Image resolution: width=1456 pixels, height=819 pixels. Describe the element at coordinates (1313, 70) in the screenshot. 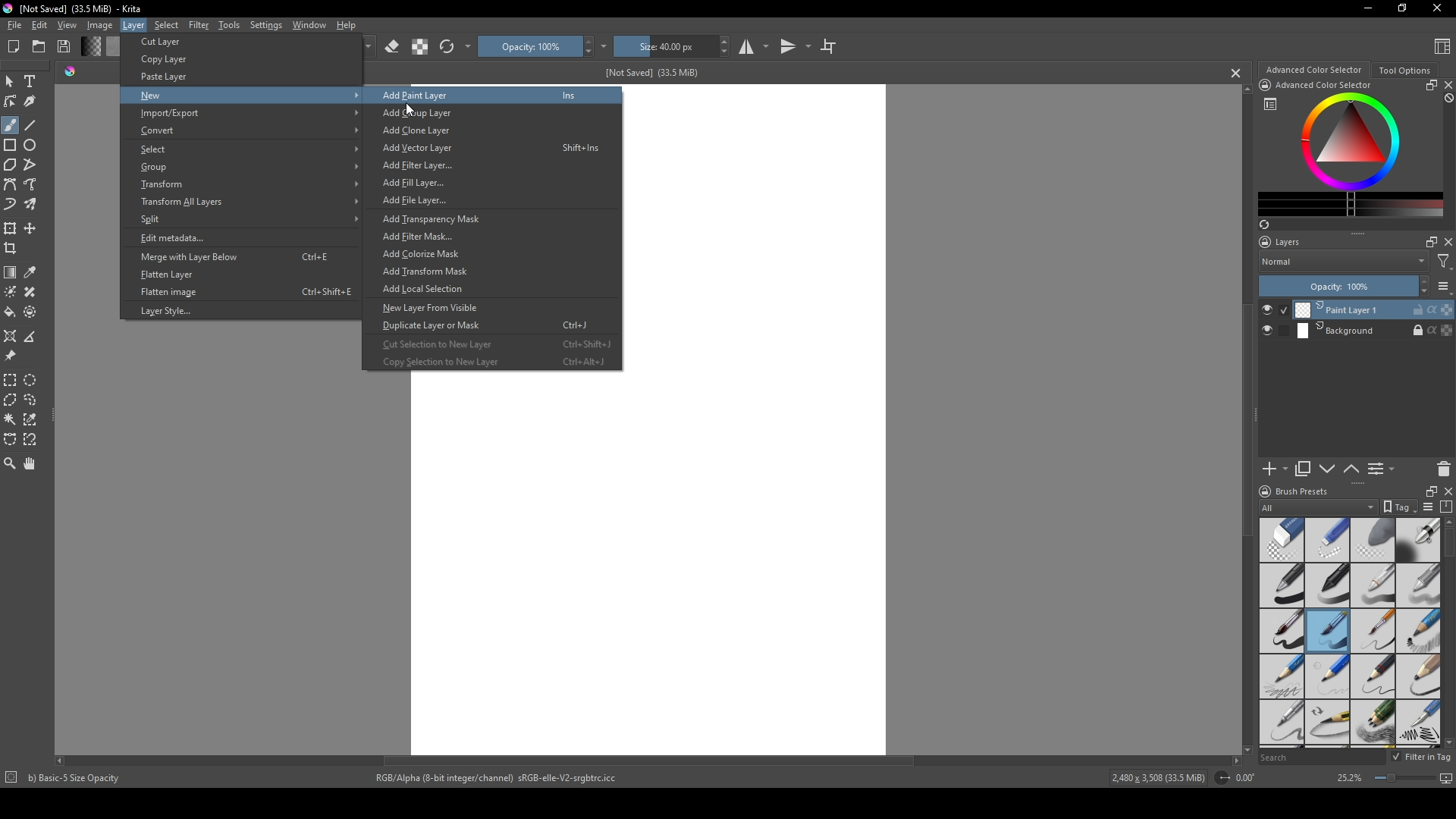

I see `Advanced color selector` at that location.